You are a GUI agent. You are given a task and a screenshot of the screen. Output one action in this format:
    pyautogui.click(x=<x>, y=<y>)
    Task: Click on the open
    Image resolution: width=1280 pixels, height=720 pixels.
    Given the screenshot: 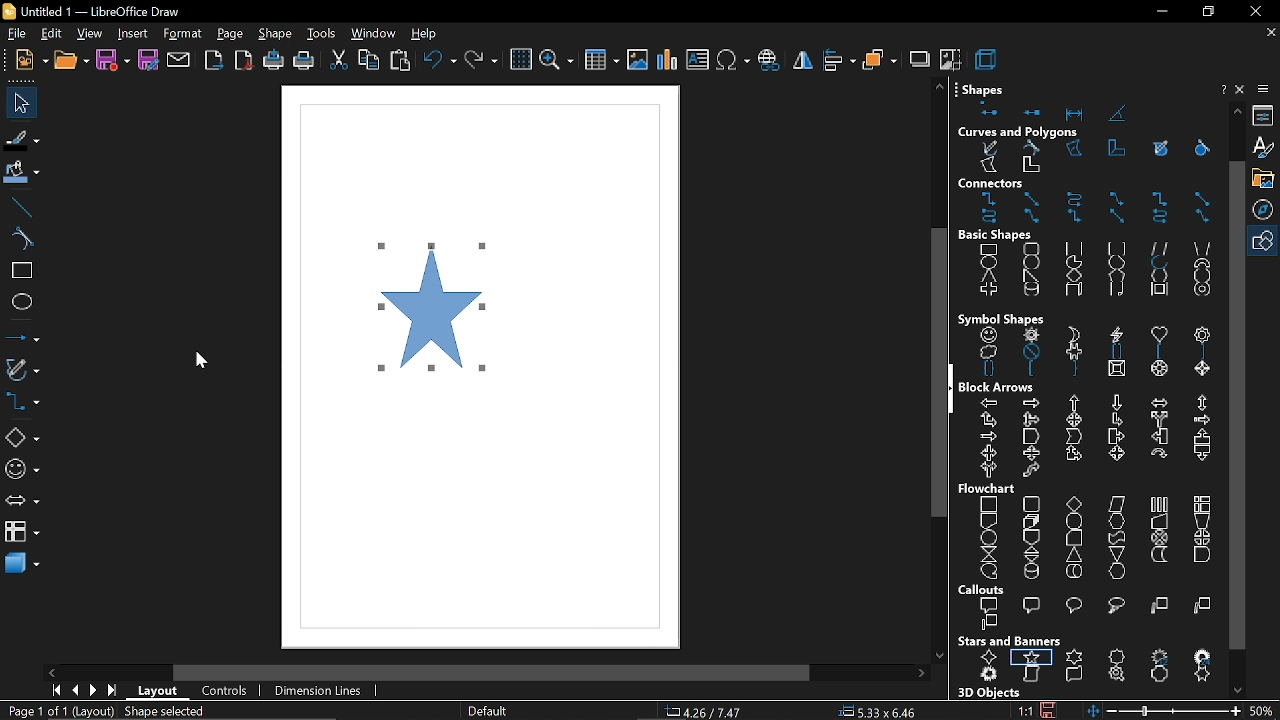 What is the action you would take?
    pyautogui.click(x=70, y=61)
    